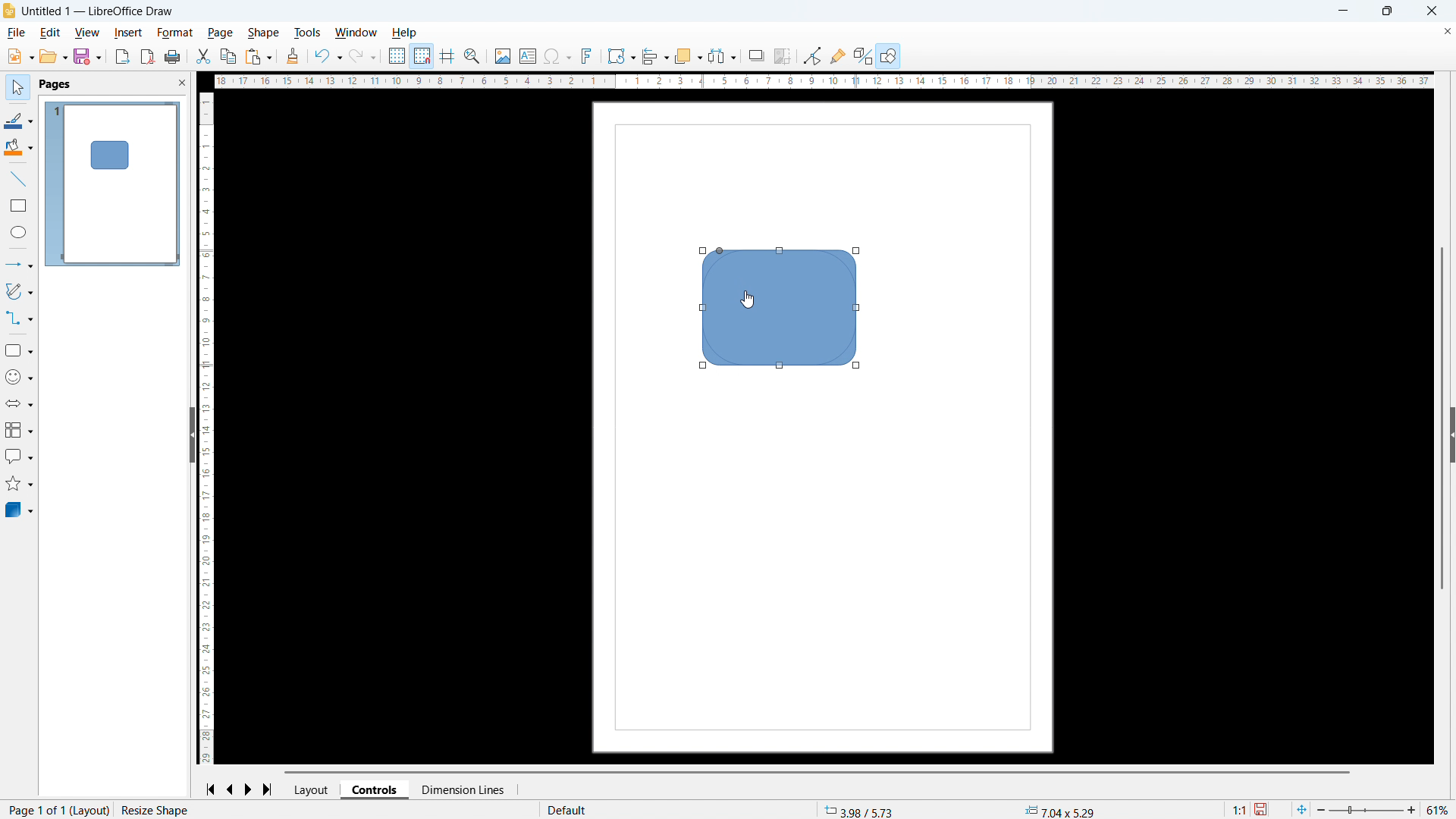  I want to click on Zoom , so click(473, 56).